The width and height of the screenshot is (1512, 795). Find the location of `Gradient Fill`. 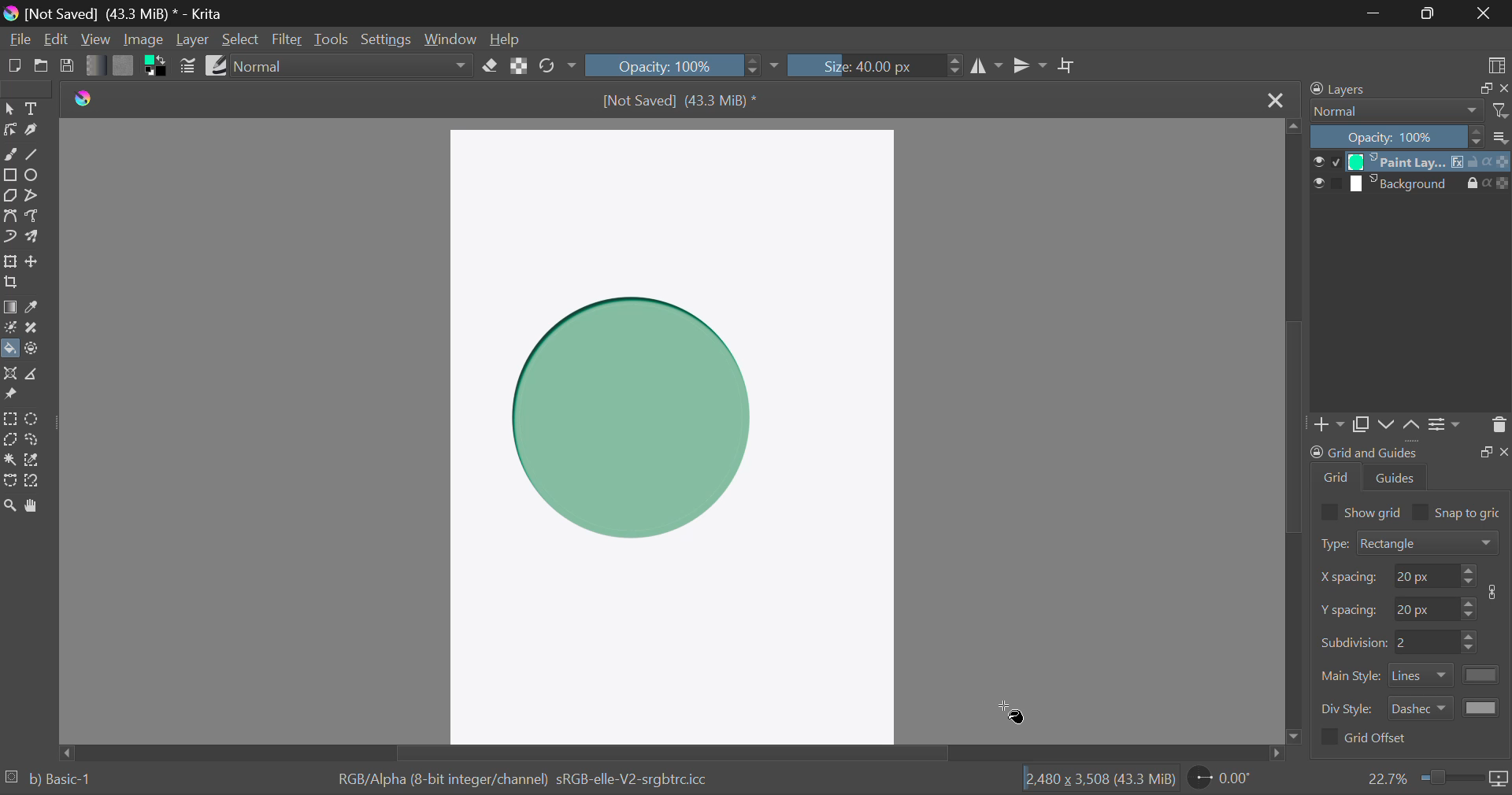

Gradient Fill is located at coordinates (11, 307).